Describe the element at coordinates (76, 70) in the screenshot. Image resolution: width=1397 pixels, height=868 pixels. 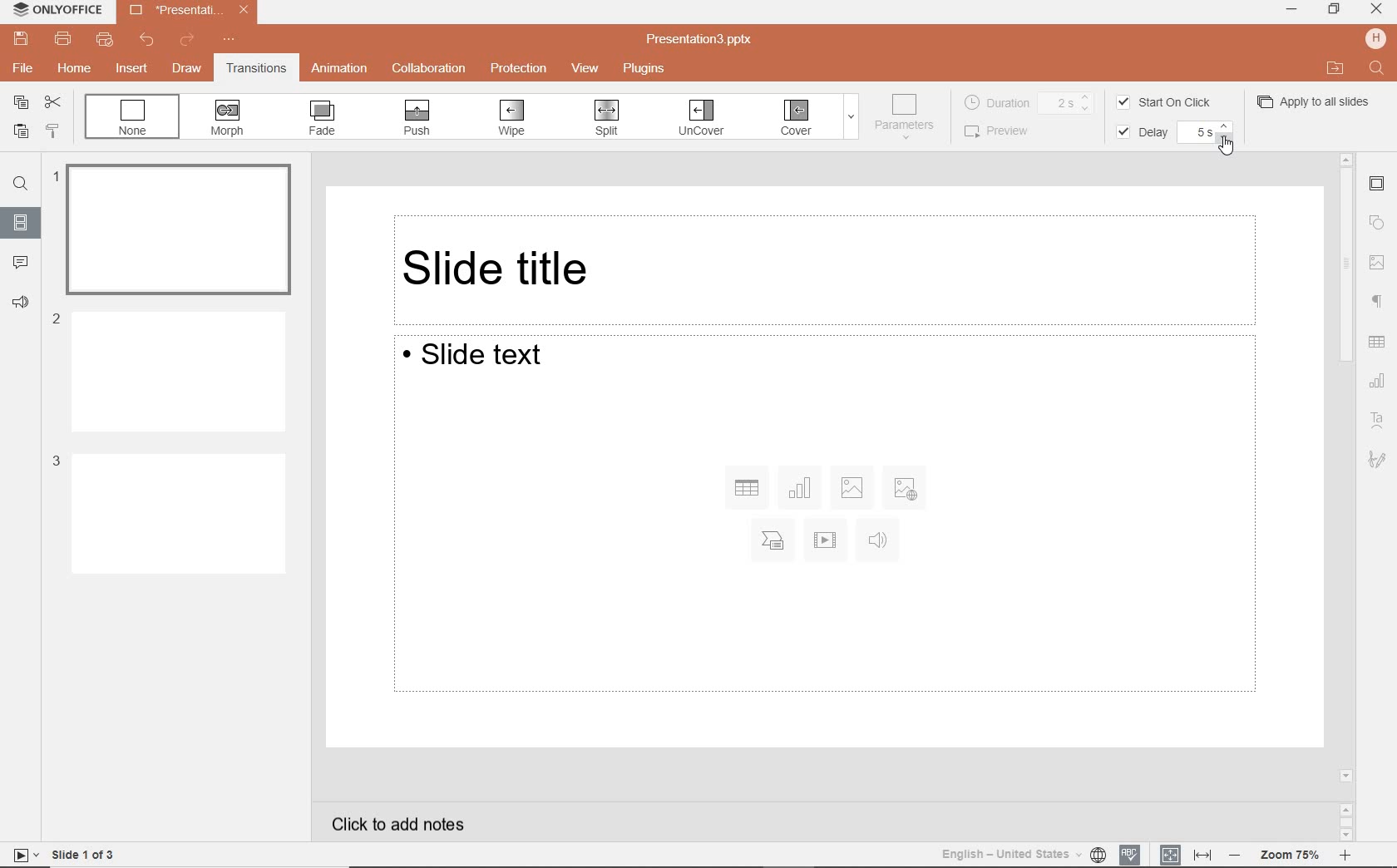
I see `home` at that location.